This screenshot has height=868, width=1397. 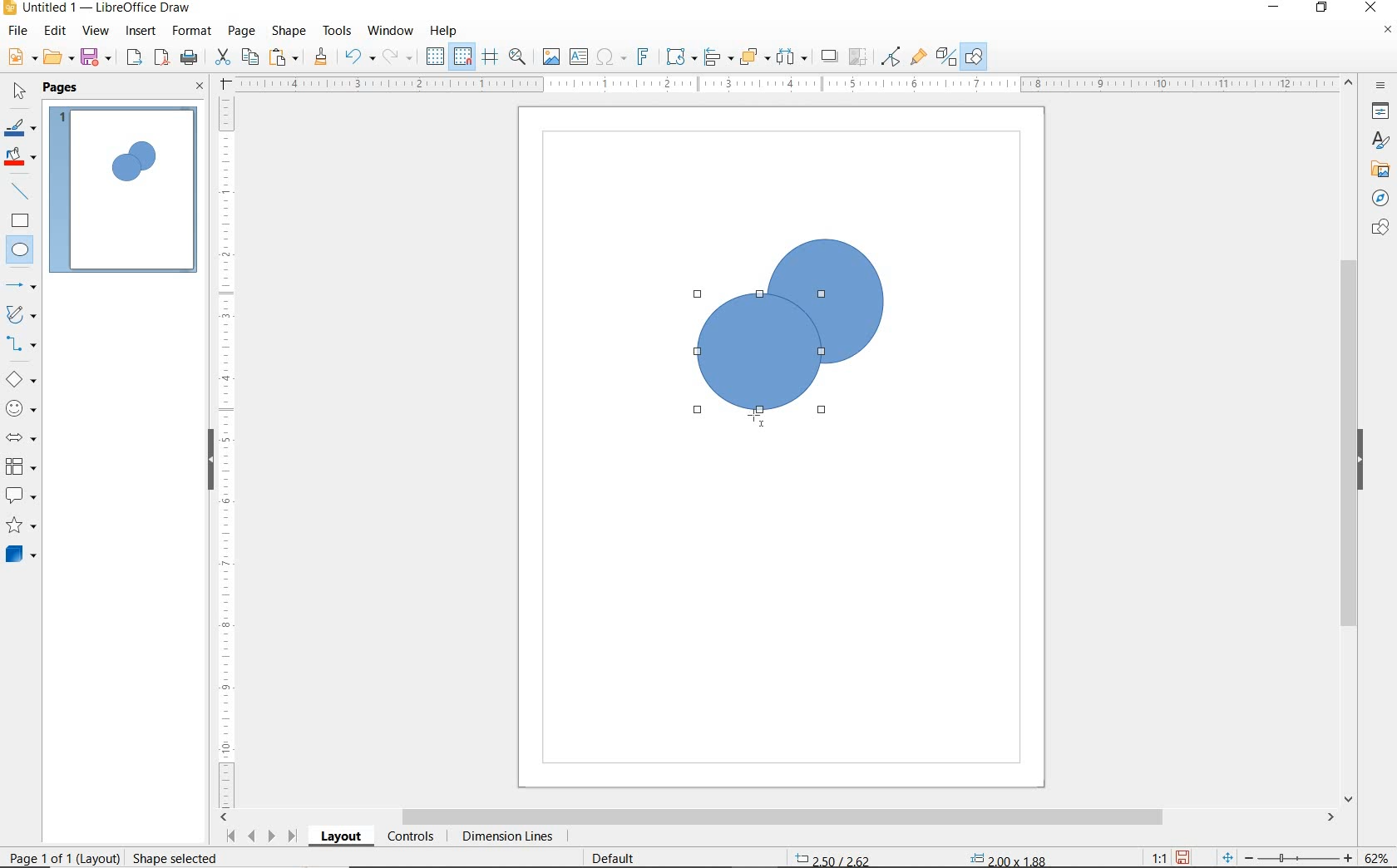 What do you see at coordinates (1377, 855) in the screenshot?
I see `ZOOM FACTOR` at bounding box center [1377, 855].